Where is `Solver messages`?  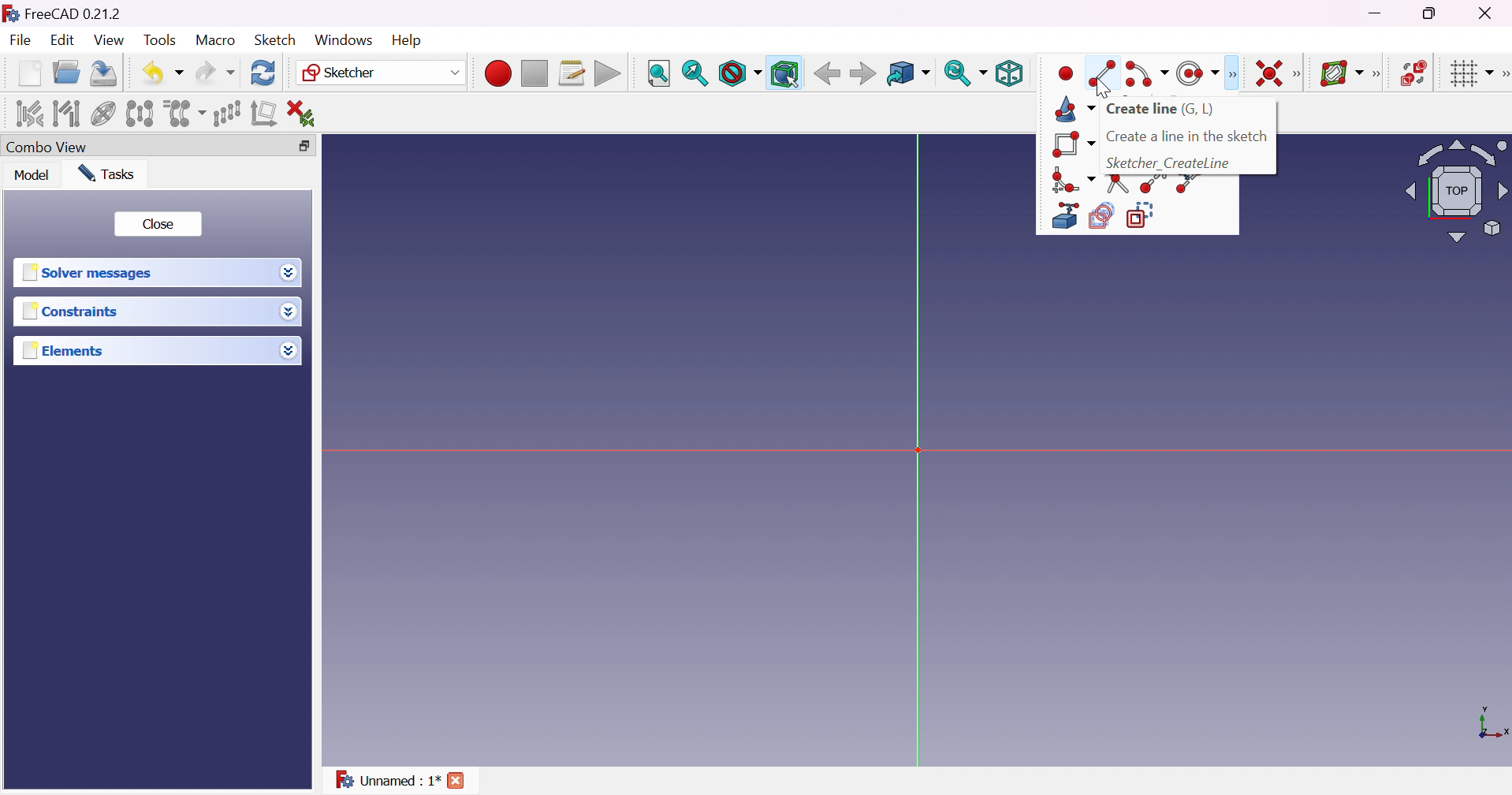 Solver messages is located at coordinates (92, 272).